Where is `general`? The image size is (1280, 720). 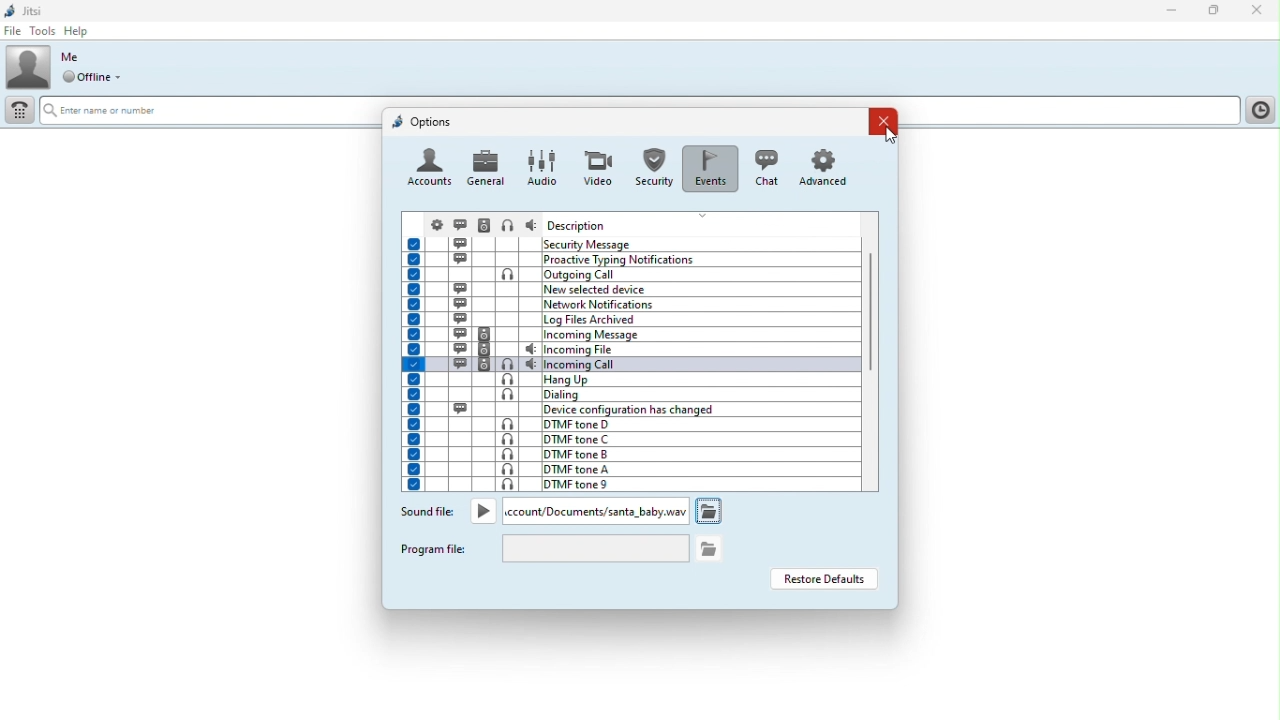 general is located at coordinates (489, 170).